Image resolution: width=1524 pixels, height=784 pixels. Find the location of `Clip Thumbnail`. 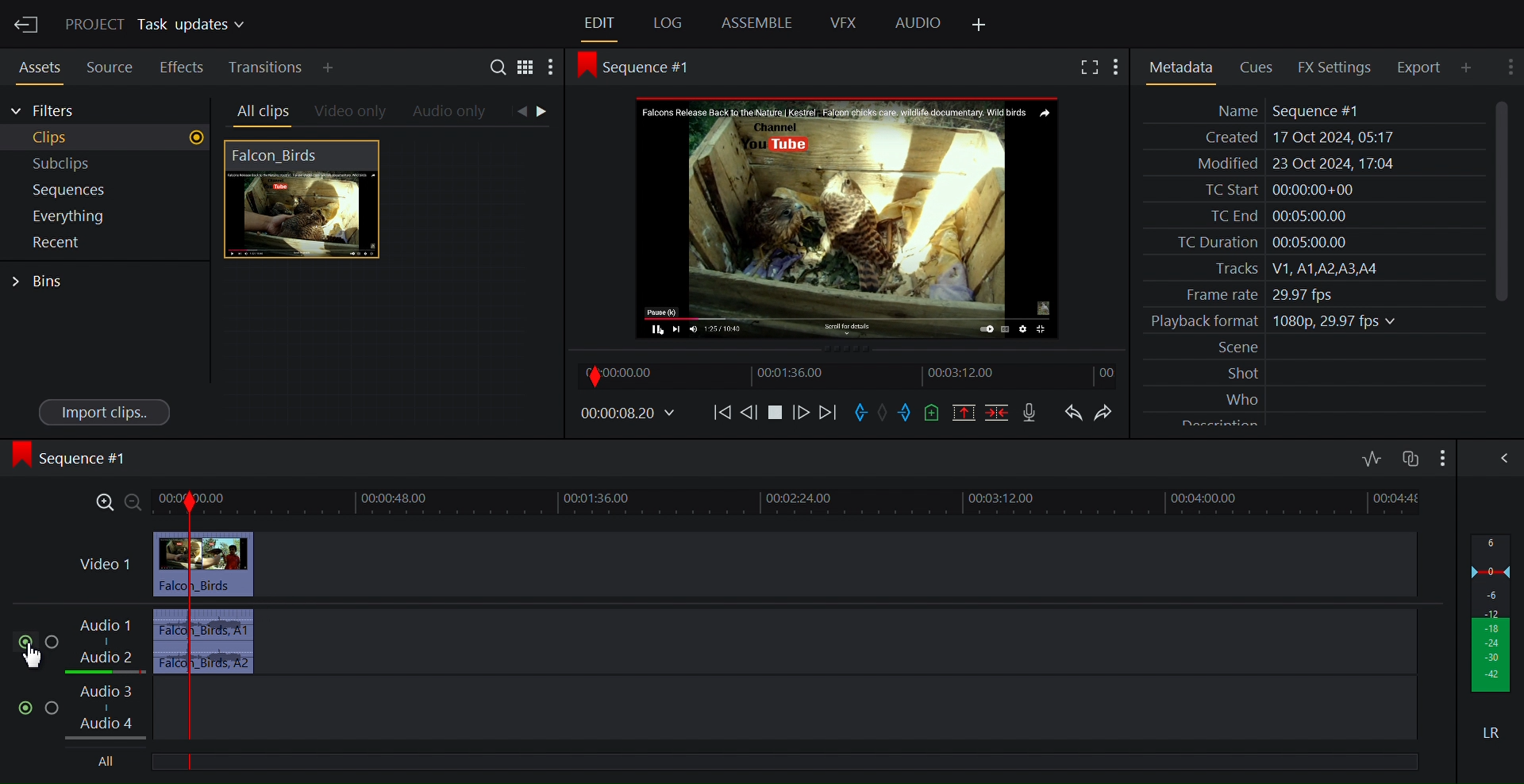

Clip Thumbnail is located at coordinates (383, 285).